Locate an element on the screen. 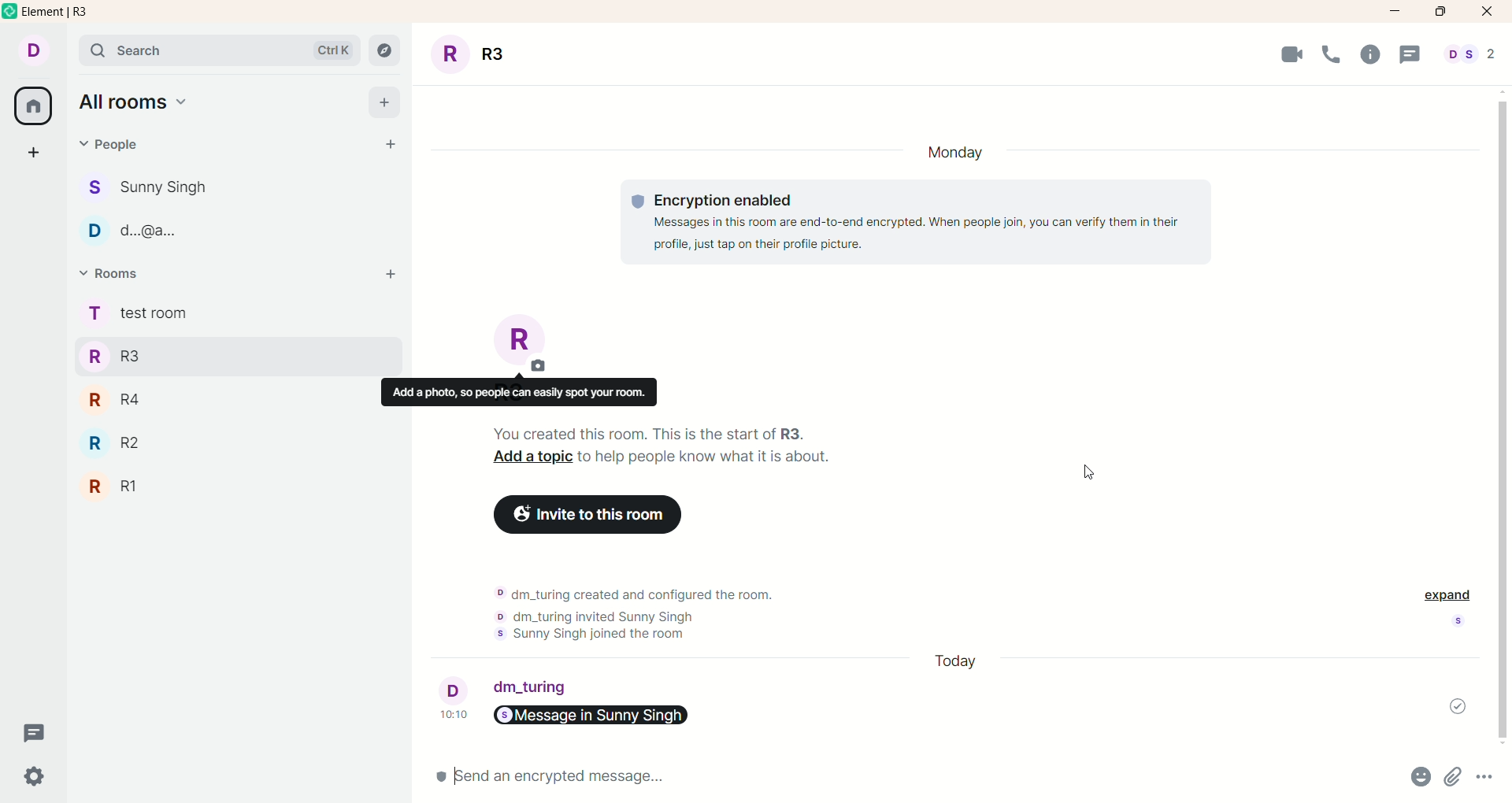  Video Call is located at coordinates (1289, 53).